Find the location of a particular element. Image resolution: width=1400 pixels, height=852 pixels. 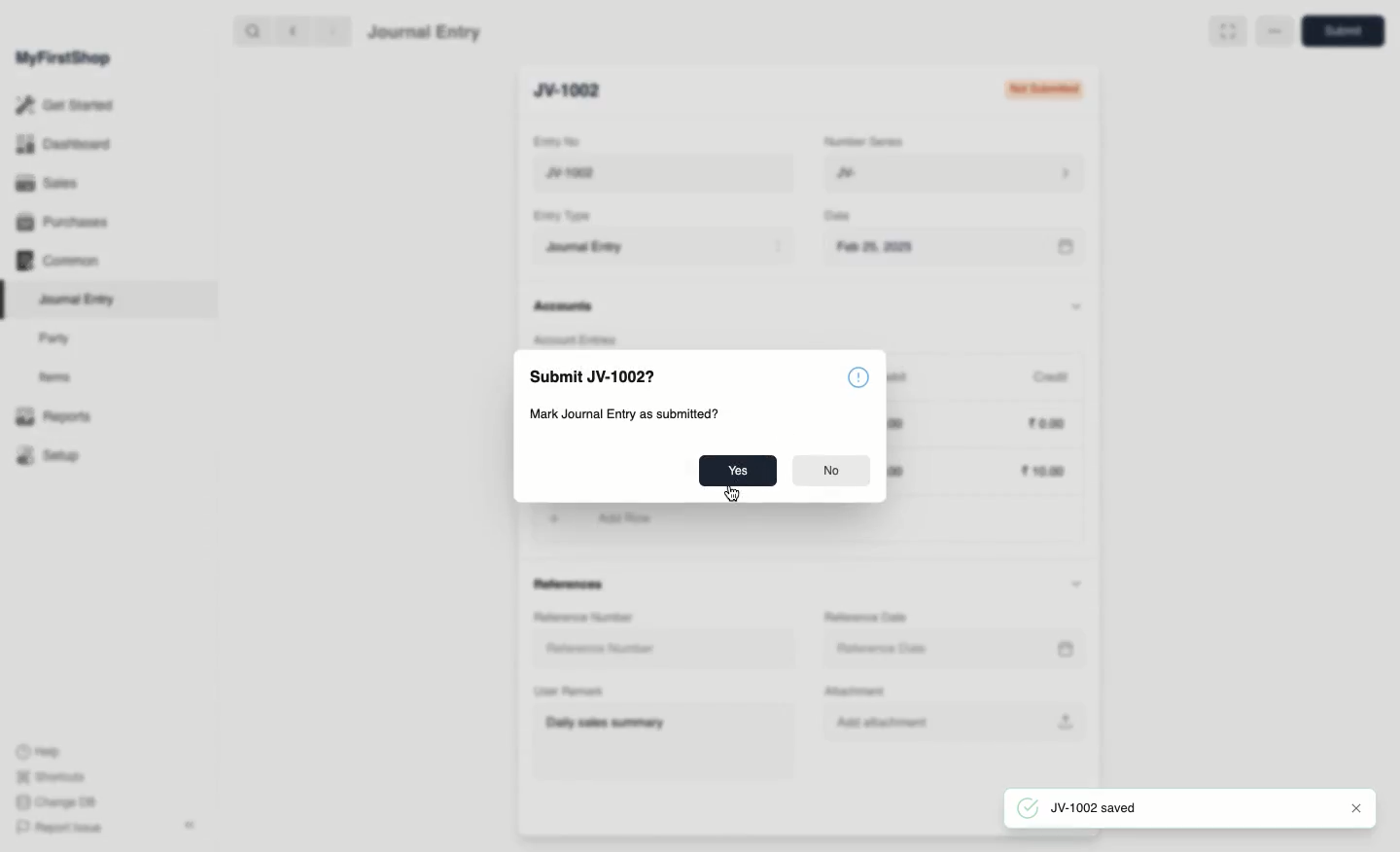

No is located at coordinates (833, 470).